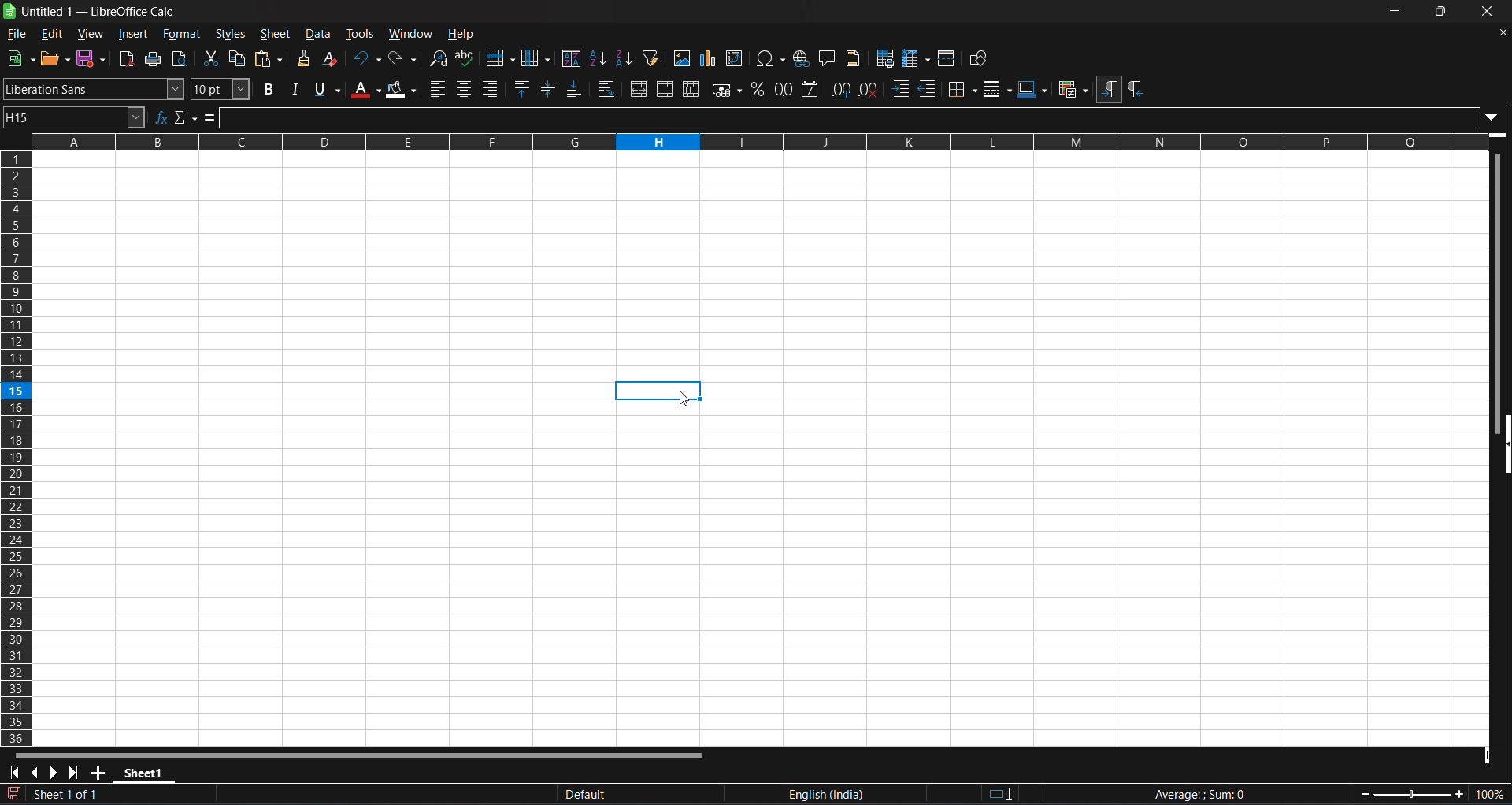  What do you see at coordinates (412, 35) in the screenshot?
I see `window` at bounding box center [412, 35].